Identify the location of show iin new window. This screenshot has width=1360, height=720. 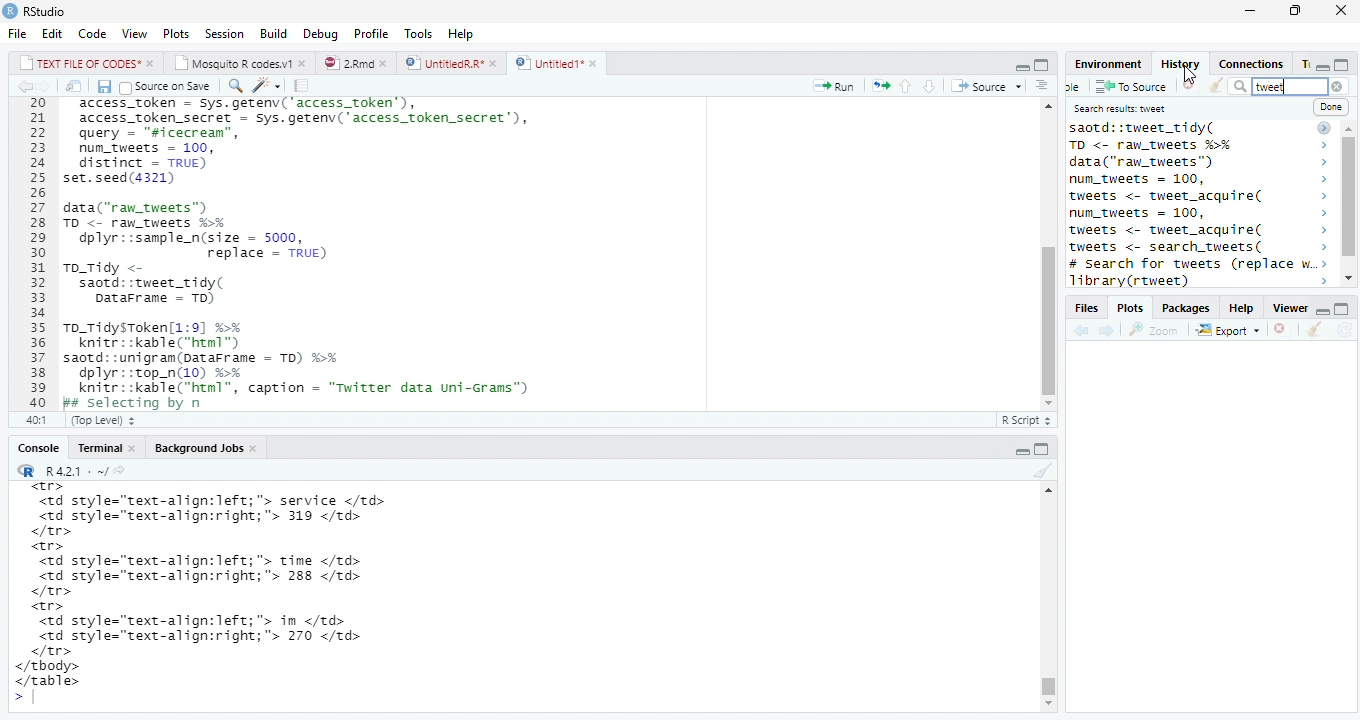
(73, 86).